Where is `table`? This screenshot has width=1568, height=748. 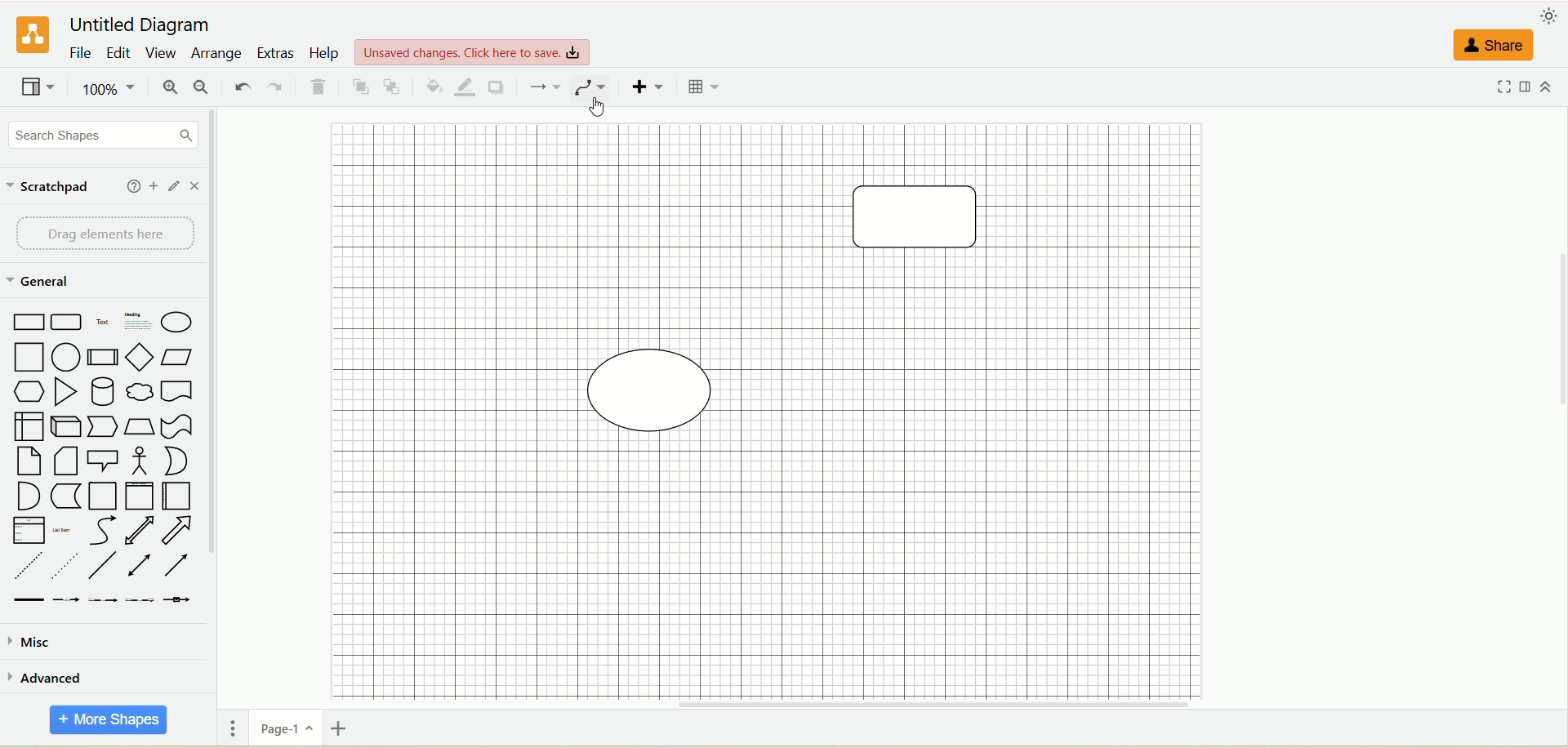 table is located at coordinates (702, 87).